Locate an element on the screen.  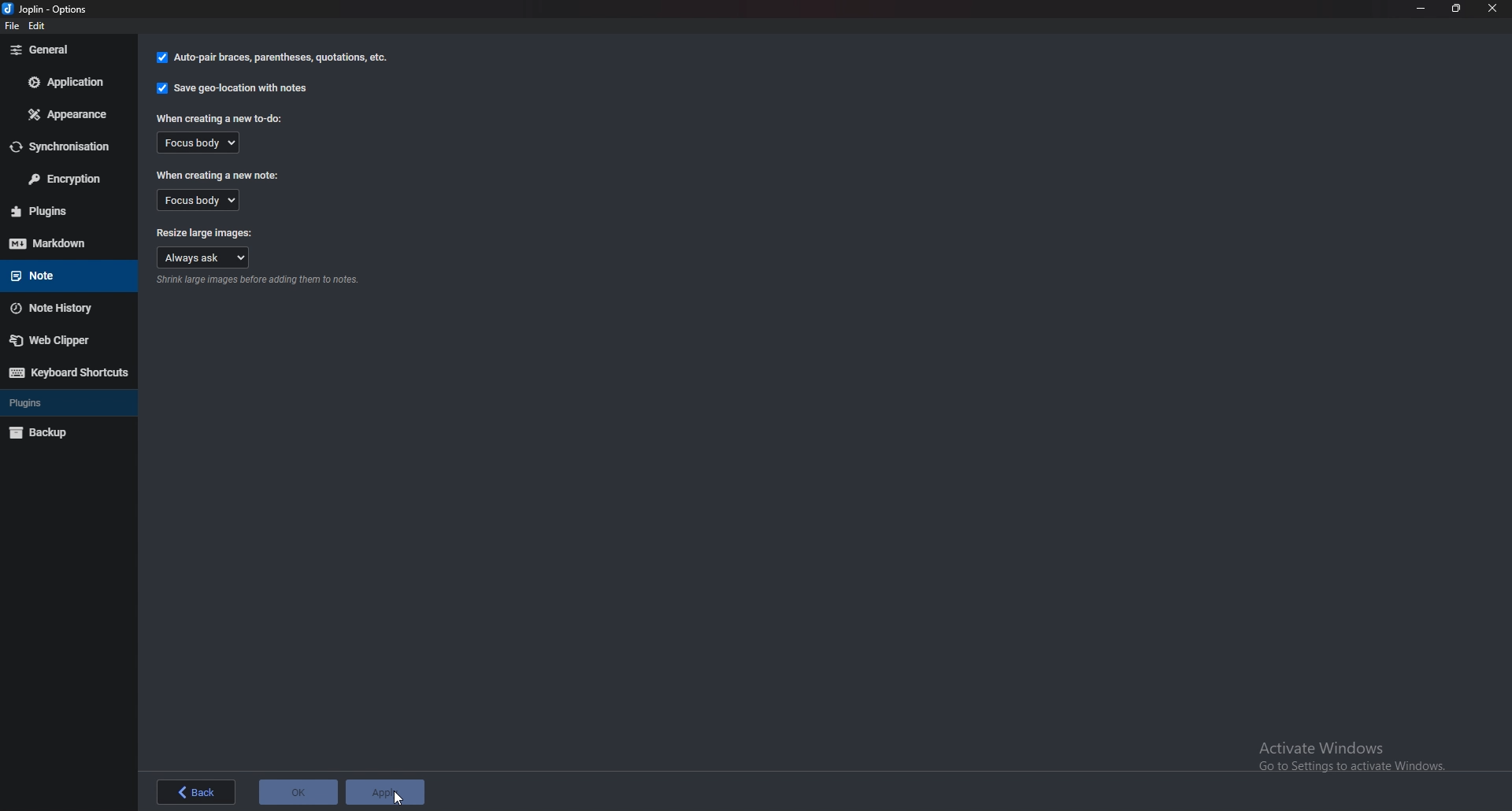
Synchronization is located at coordinates (66, 147).